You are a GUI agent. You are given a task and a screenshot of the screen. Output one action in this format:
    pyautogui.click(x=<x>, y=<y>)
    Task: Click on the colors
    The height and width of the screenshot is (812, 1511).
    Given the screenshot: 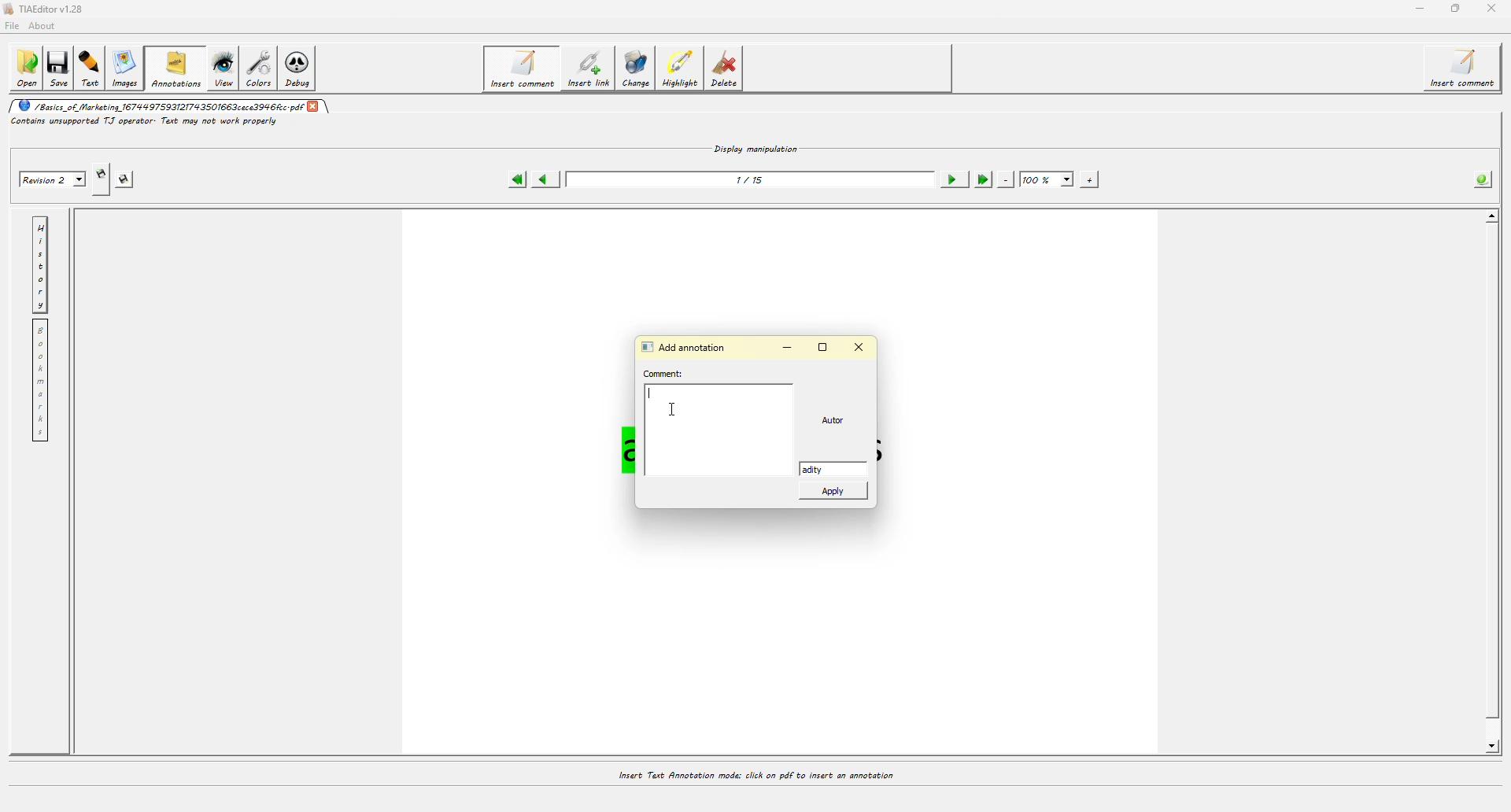 What is the action you would take?
    pyautogui.click(x=262, y=68)
    